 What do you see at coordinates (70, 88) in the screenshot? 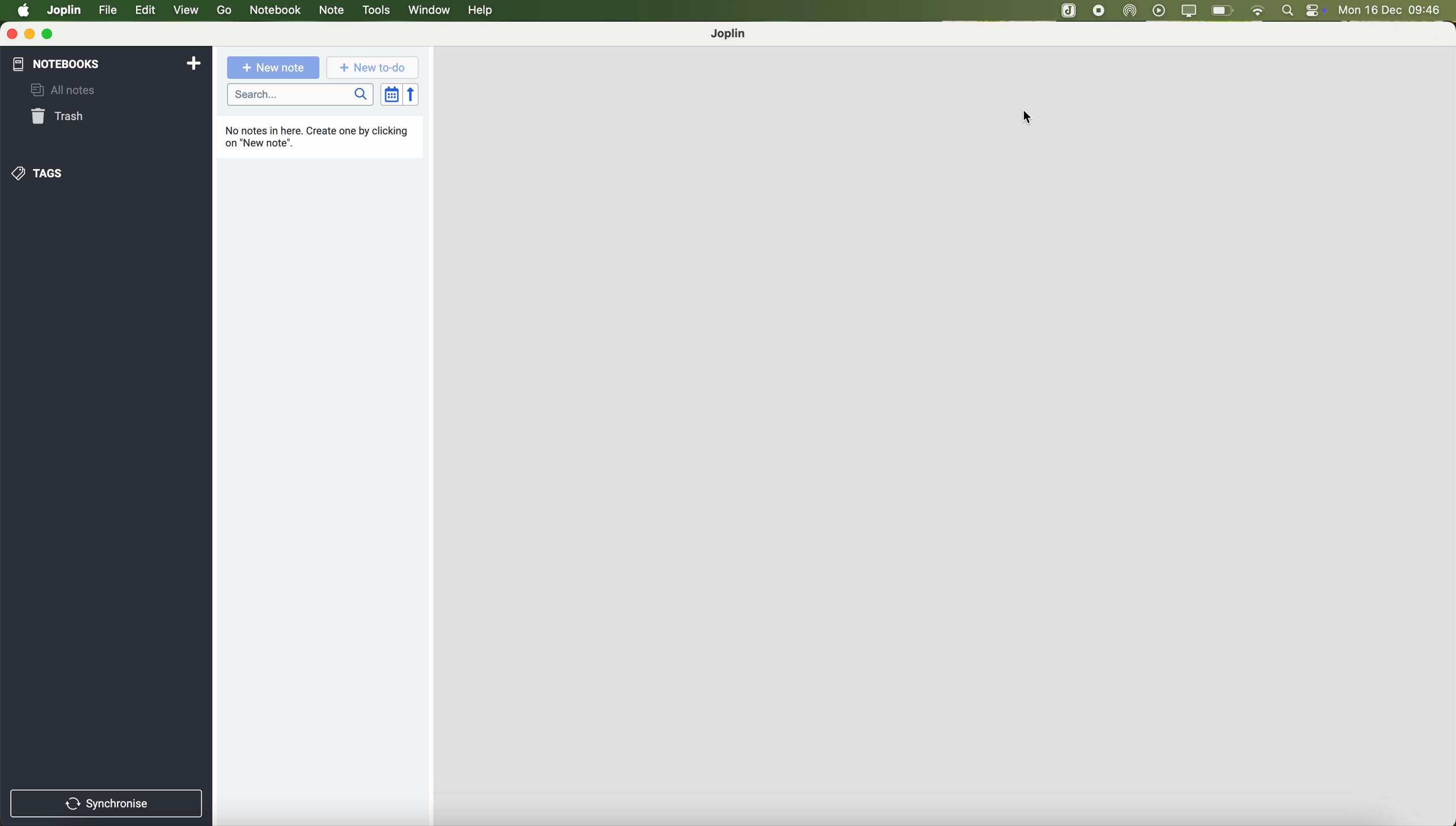
I see `all notes` at bounding box center [70, 88].